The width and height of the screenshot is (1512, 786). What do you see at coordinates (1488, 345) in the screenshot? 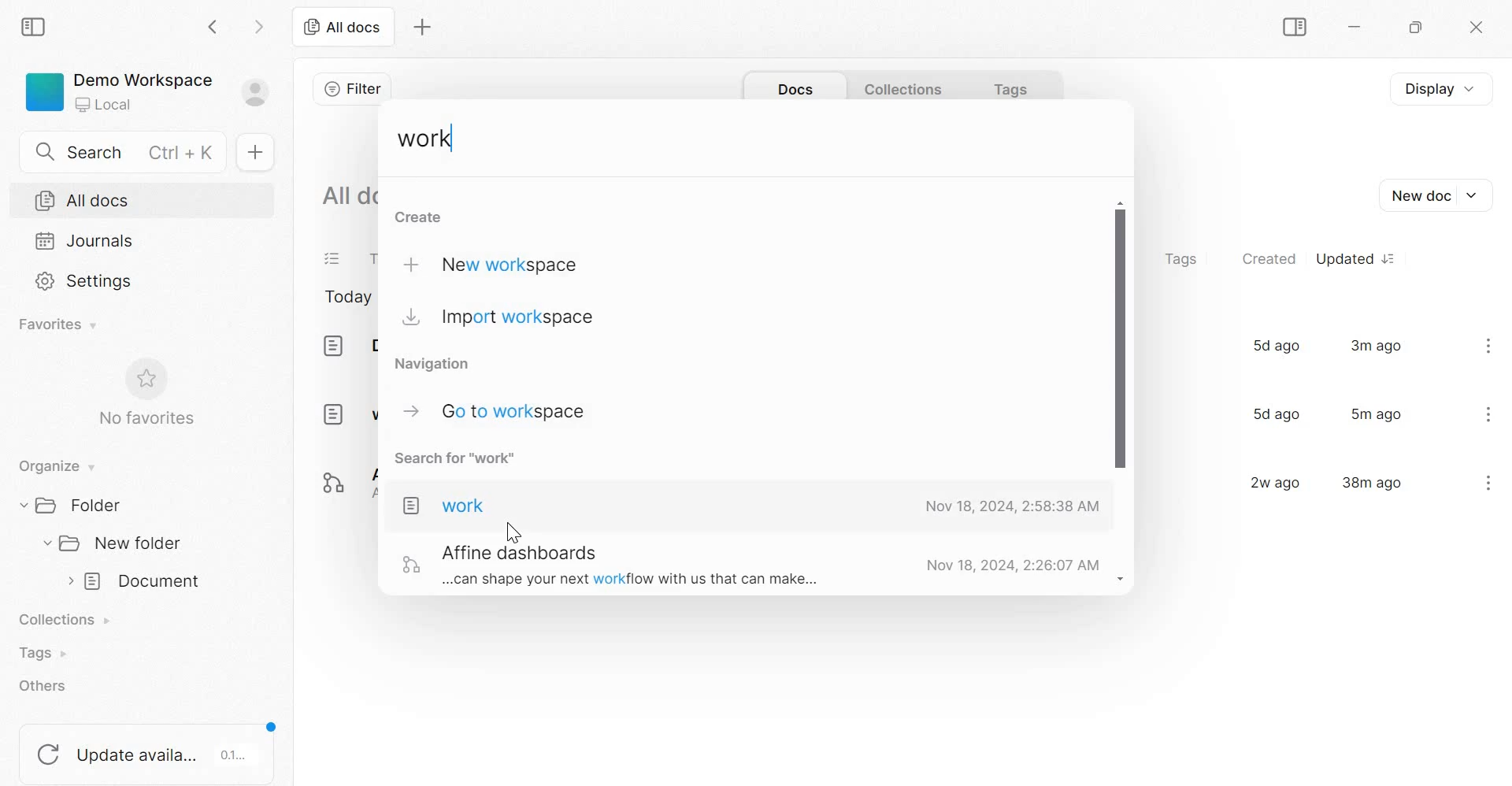
I see `kebab menu` at bounding box center [1488, 345].